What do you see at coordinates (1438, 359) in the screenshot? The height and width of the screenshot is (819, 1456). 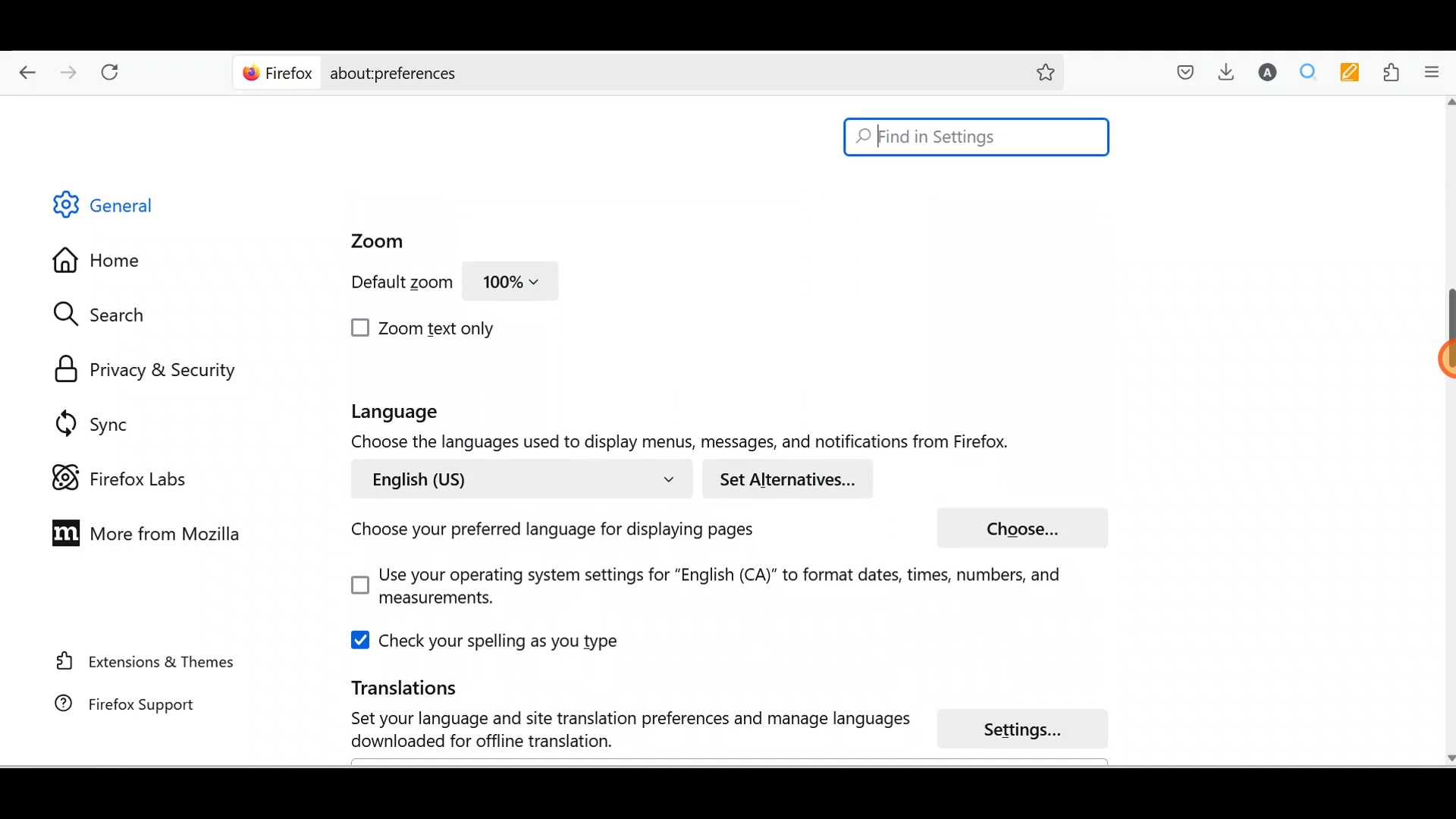 I see `cursor` at bounding box center [1438, 359].